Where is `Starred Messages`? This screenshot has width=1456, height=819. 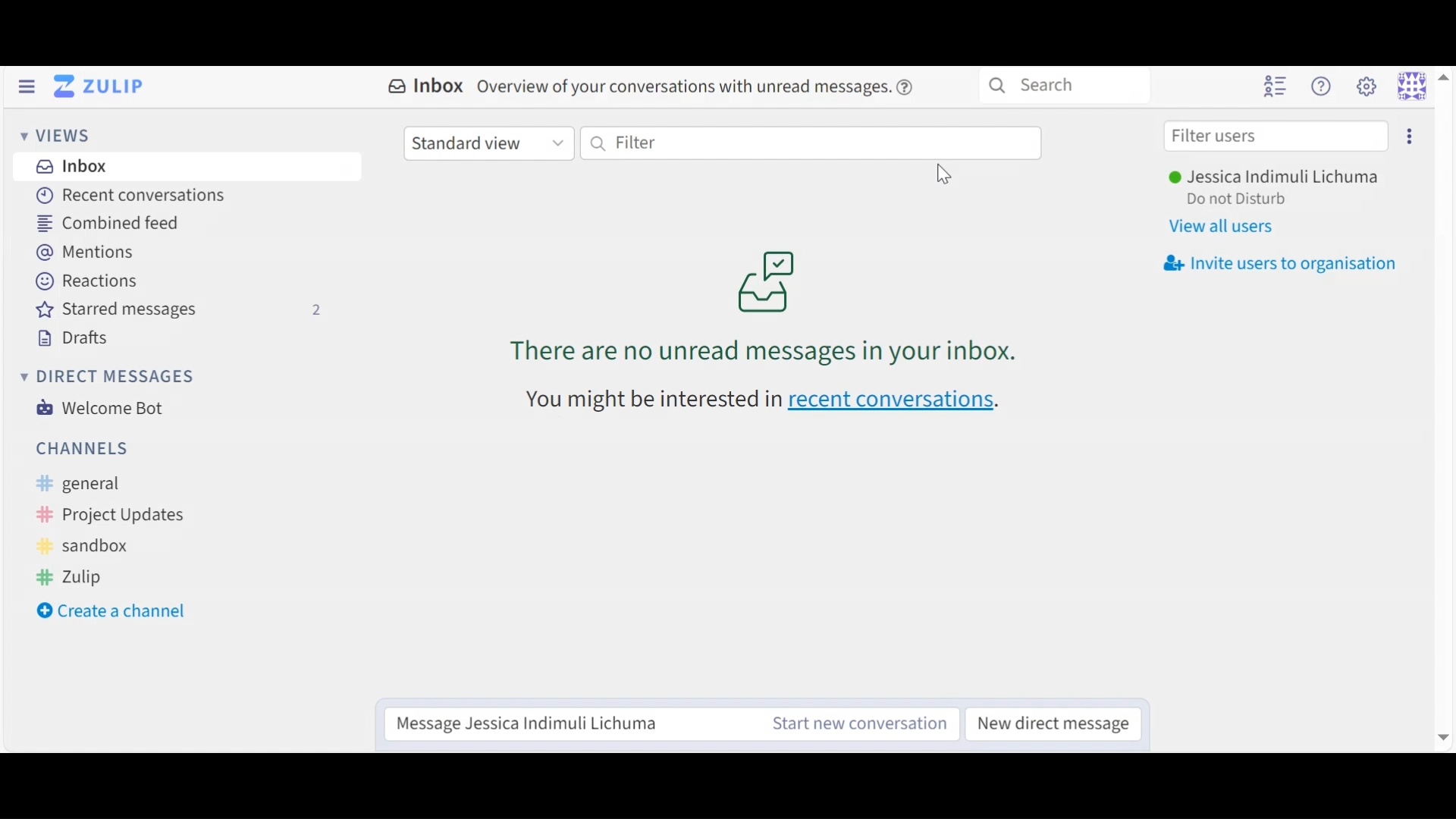
Starred Messages is located at coordinates (180, 311).